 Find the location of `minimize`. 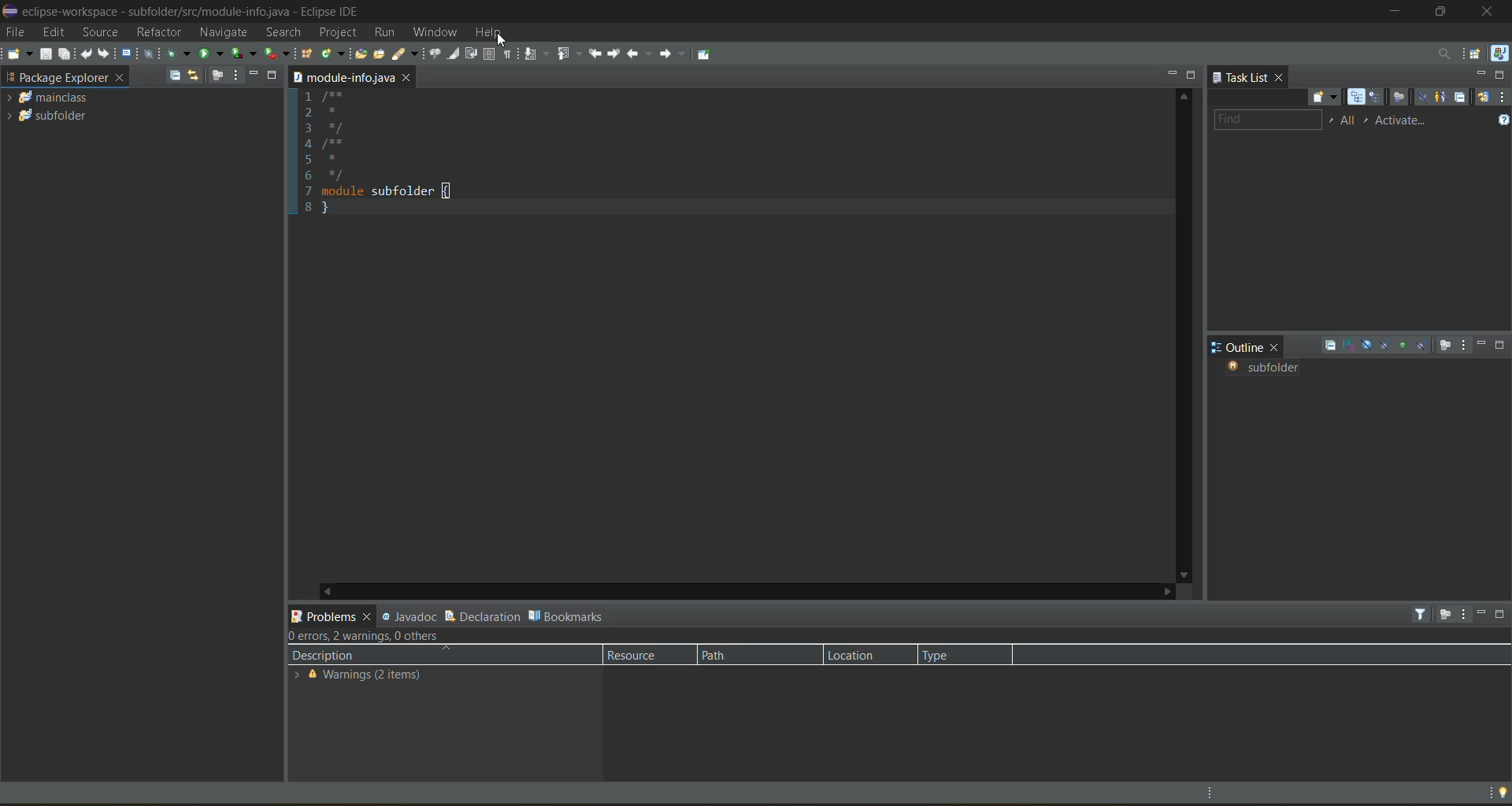

minimize is located at coordinates (1481, 75).